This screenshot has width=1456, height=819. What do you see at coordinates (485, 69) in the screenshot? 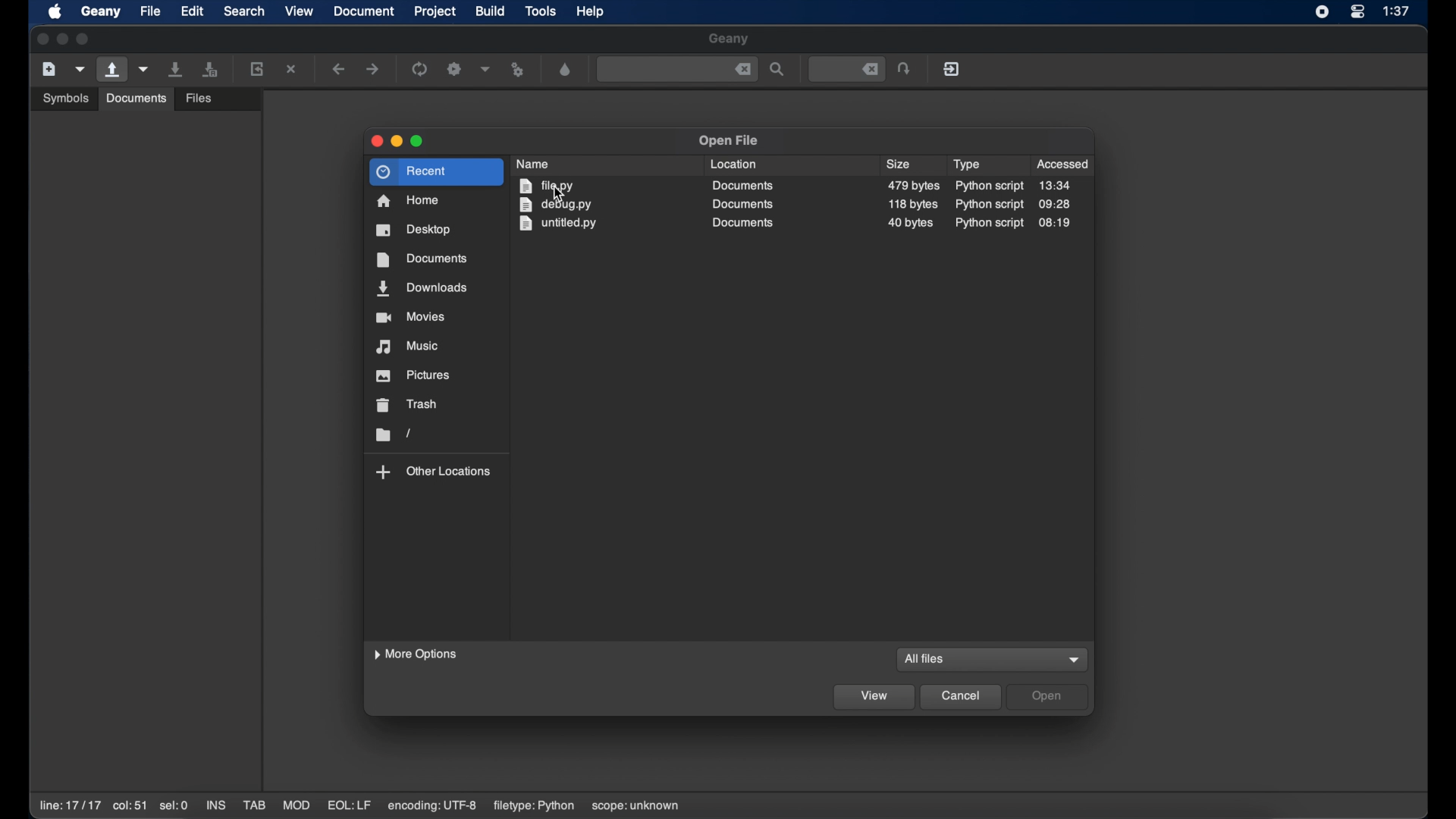
I see `choose more build actions` at bounding box center [485, 69].